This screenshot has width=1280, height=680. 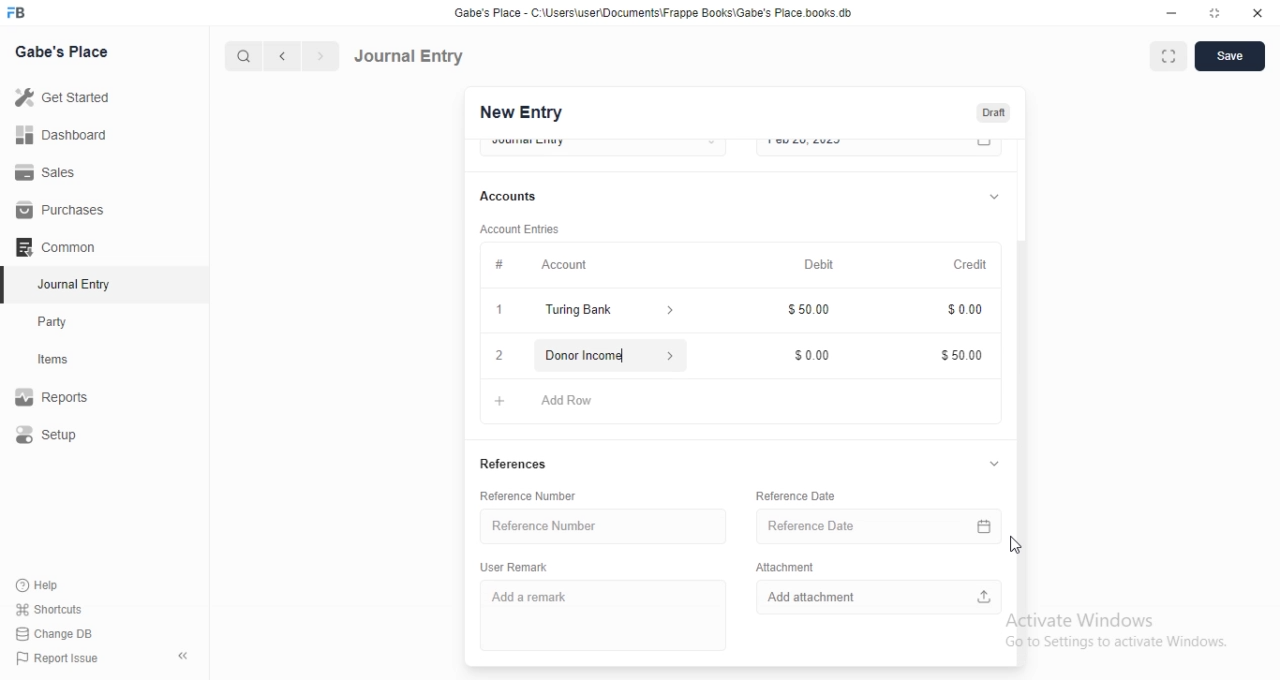 I want to click on Setup, so click(x=66, y=436).